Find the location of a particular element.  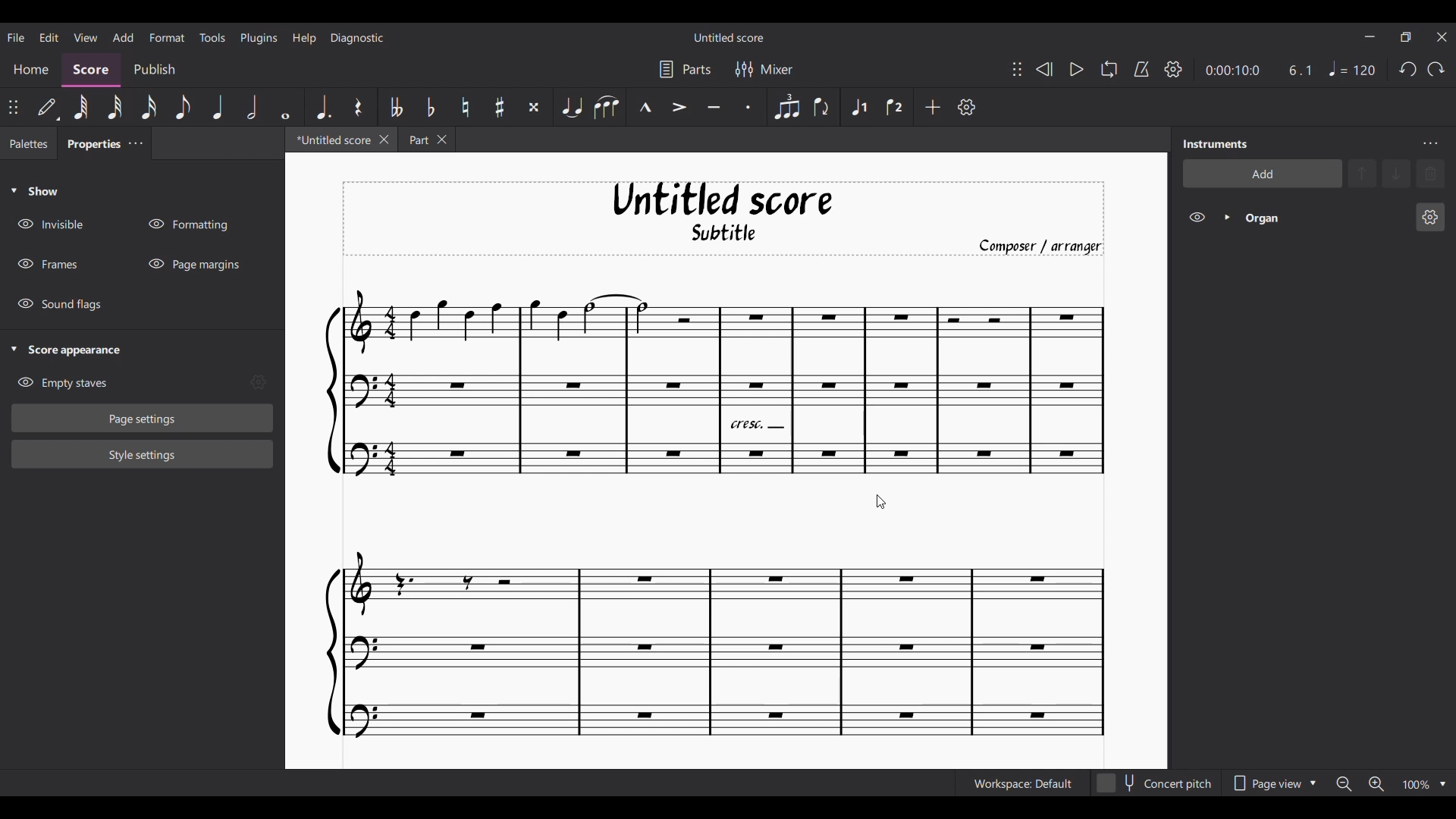

Zoom in is located at coordinates (1376, 784).